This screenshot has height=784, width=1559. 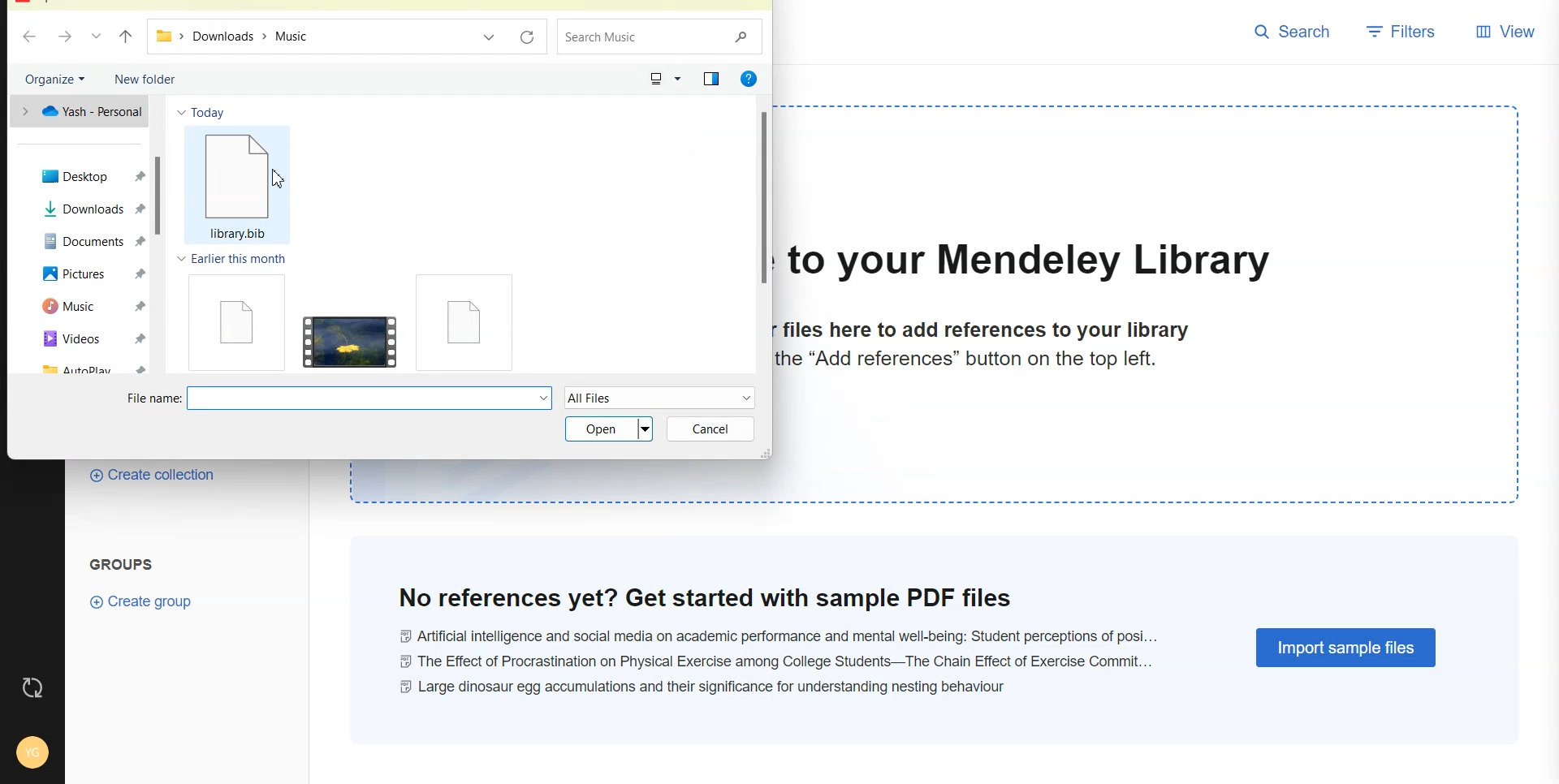 What do you see at coordinates (65, 36) in the screenshot?
I see `Go Forward` at bounding box center [65, 36].